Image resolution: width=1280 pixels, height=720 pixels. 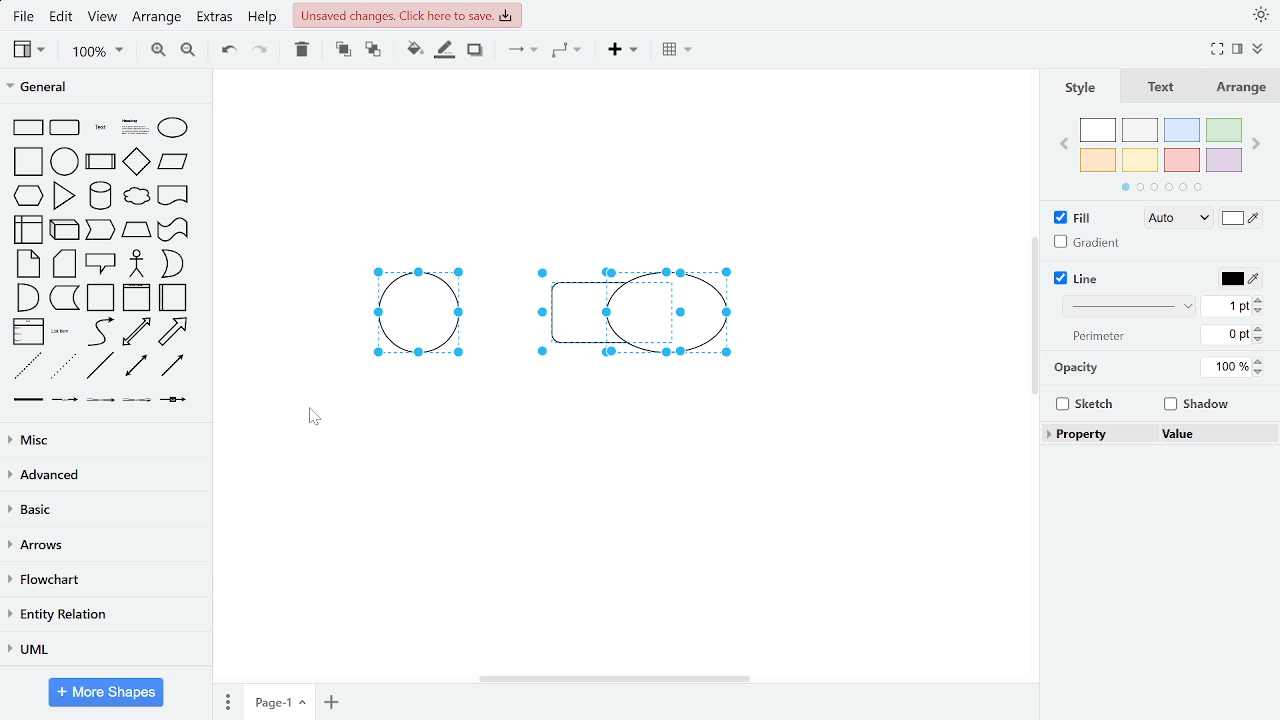 What do you see at coordinates (1237, 86) in the screenshot?
I see `Arrange` at bounding box center [1237, 86].